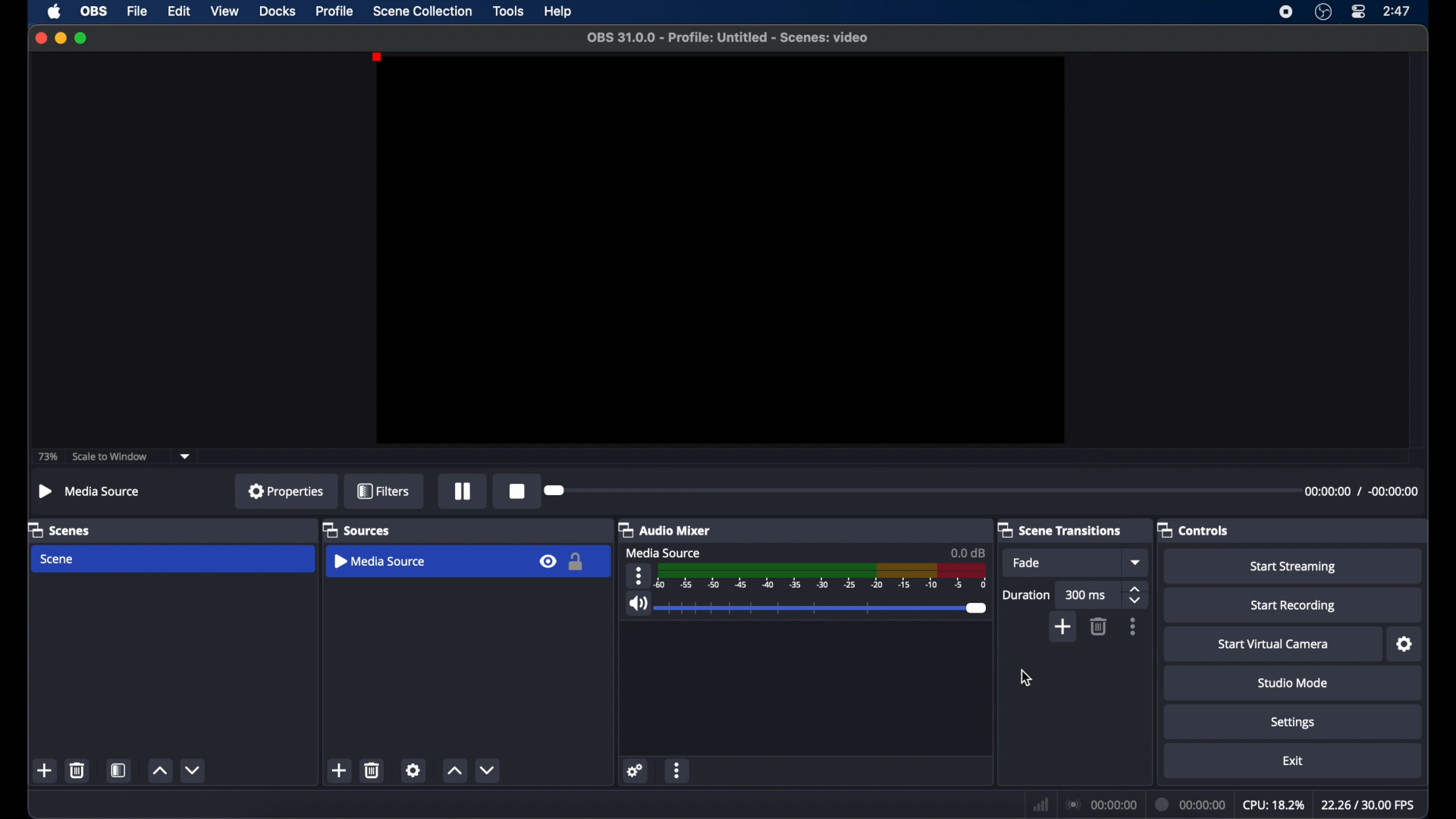  I want to click on network, so click(1040, 805).